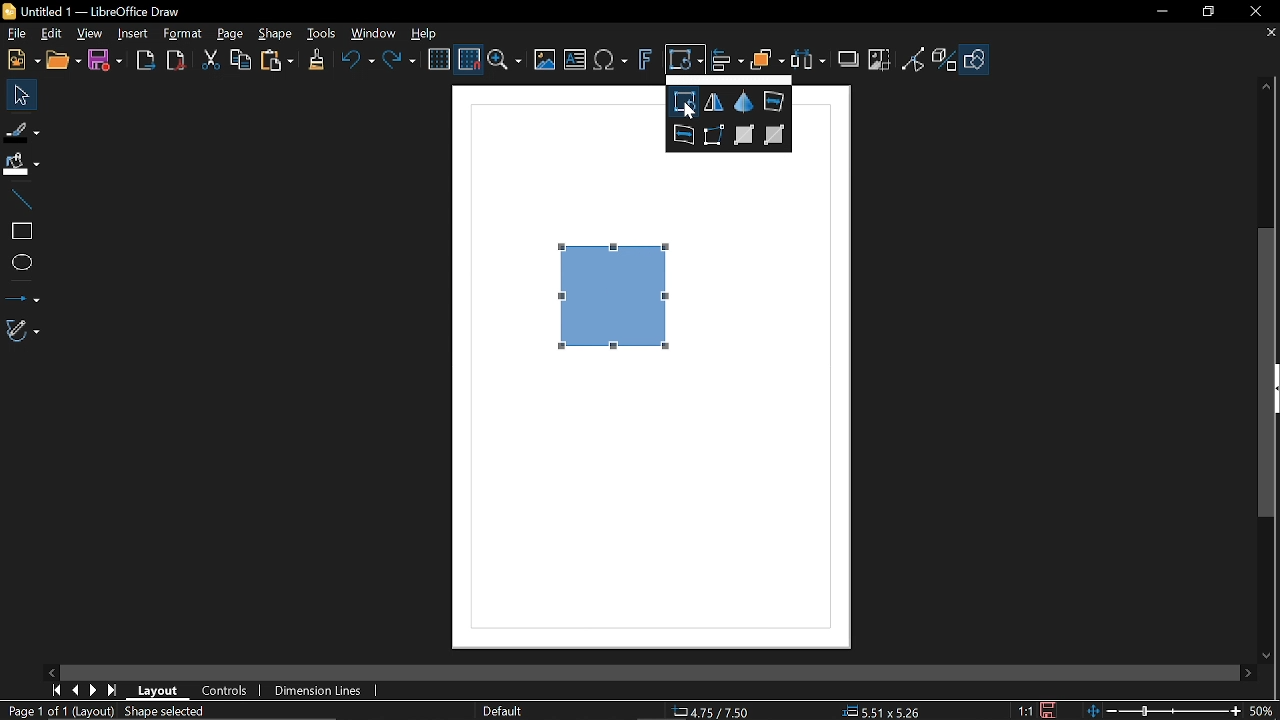 The image size is (1280, 720). Describe the element at coordinates (767, 62) in the screenshot. I see `Arrange` at that location.